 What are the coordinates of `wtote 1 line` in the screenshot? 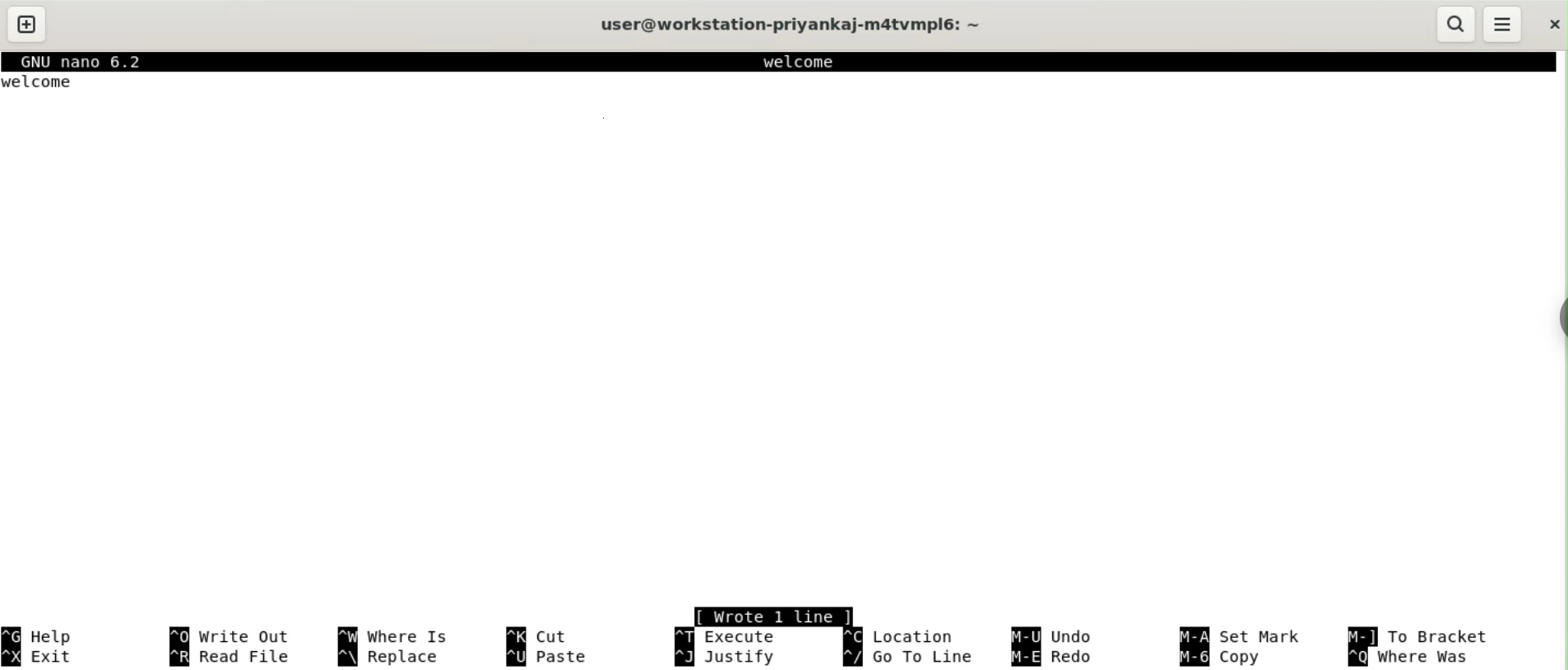 It's located at (775, 615).